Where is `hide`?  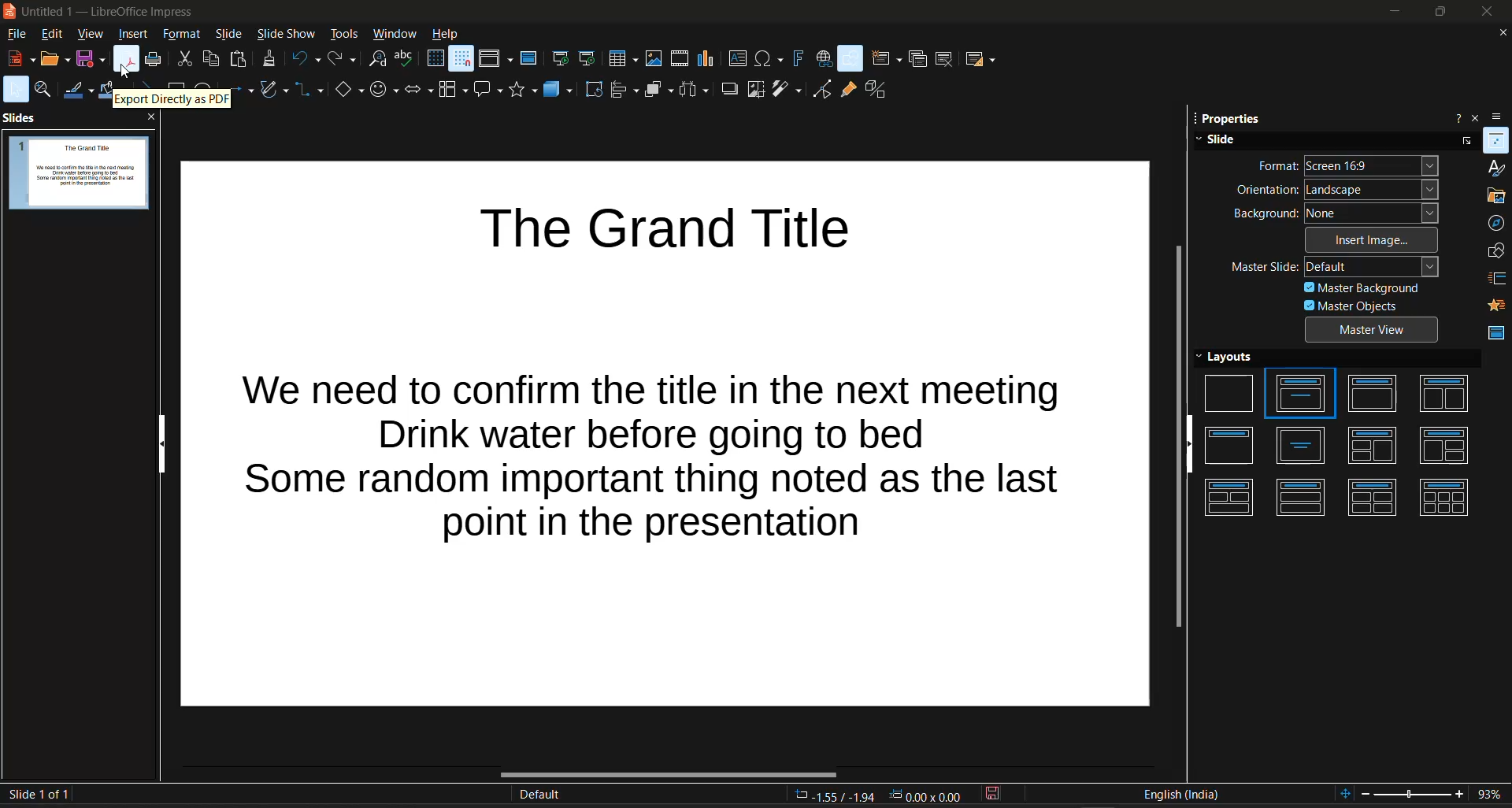 hide is located at coordinates (165, 444).